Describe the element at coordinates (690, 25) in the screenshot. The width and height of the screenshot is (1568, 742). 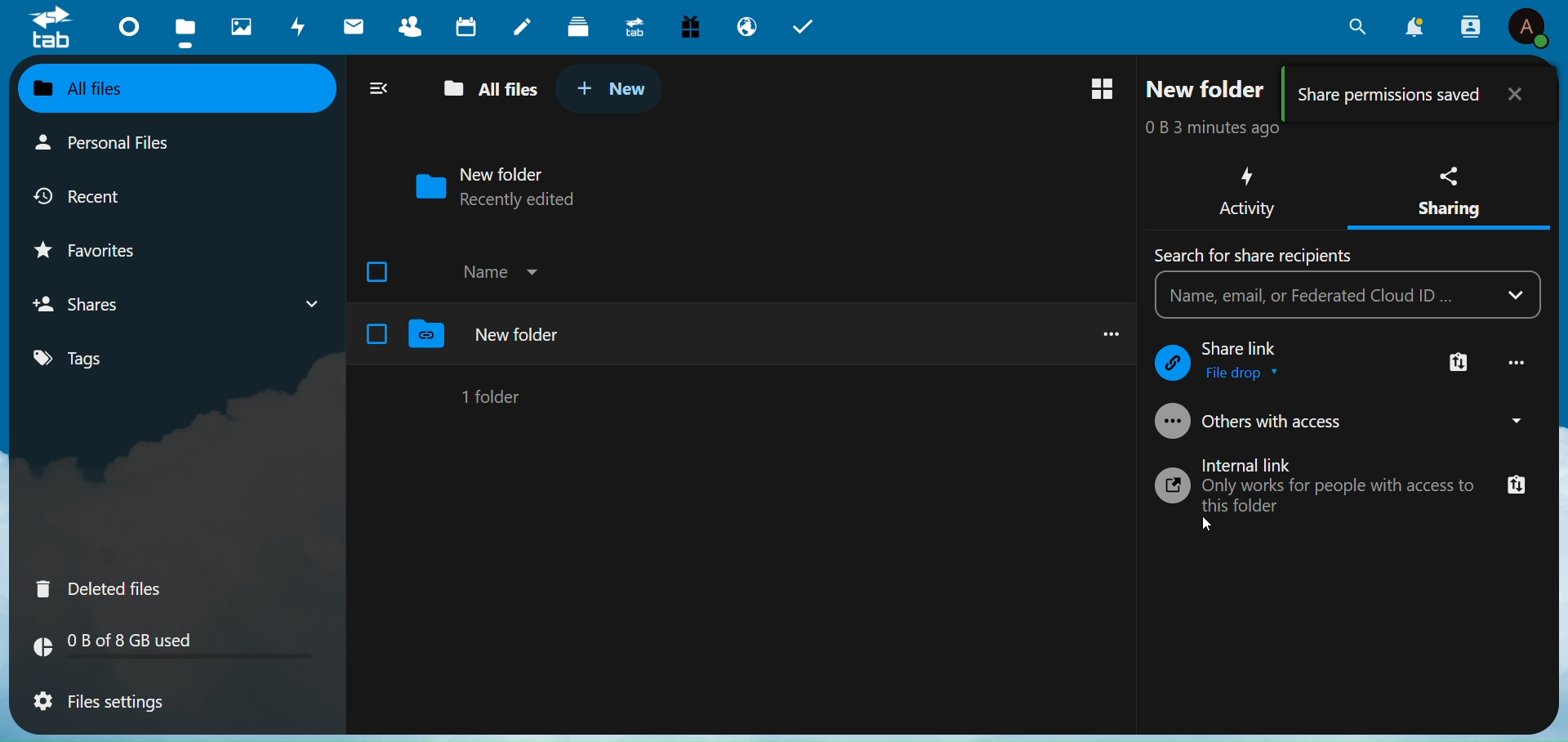
I see `Free Trial` at that location.